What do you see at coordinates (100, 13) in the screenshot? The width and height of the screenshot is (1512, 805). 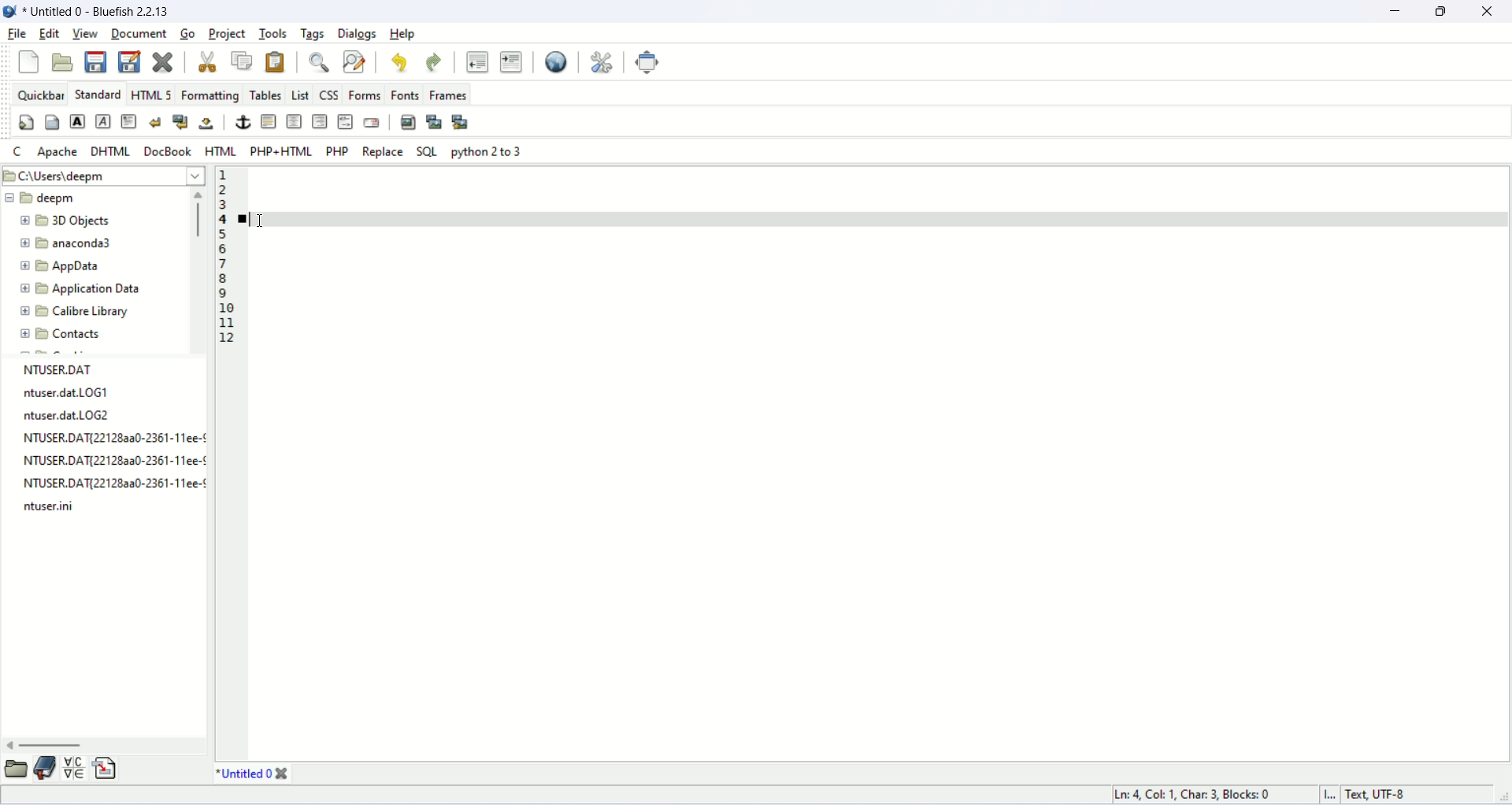 I see `file` at bounding box center [100, 13].